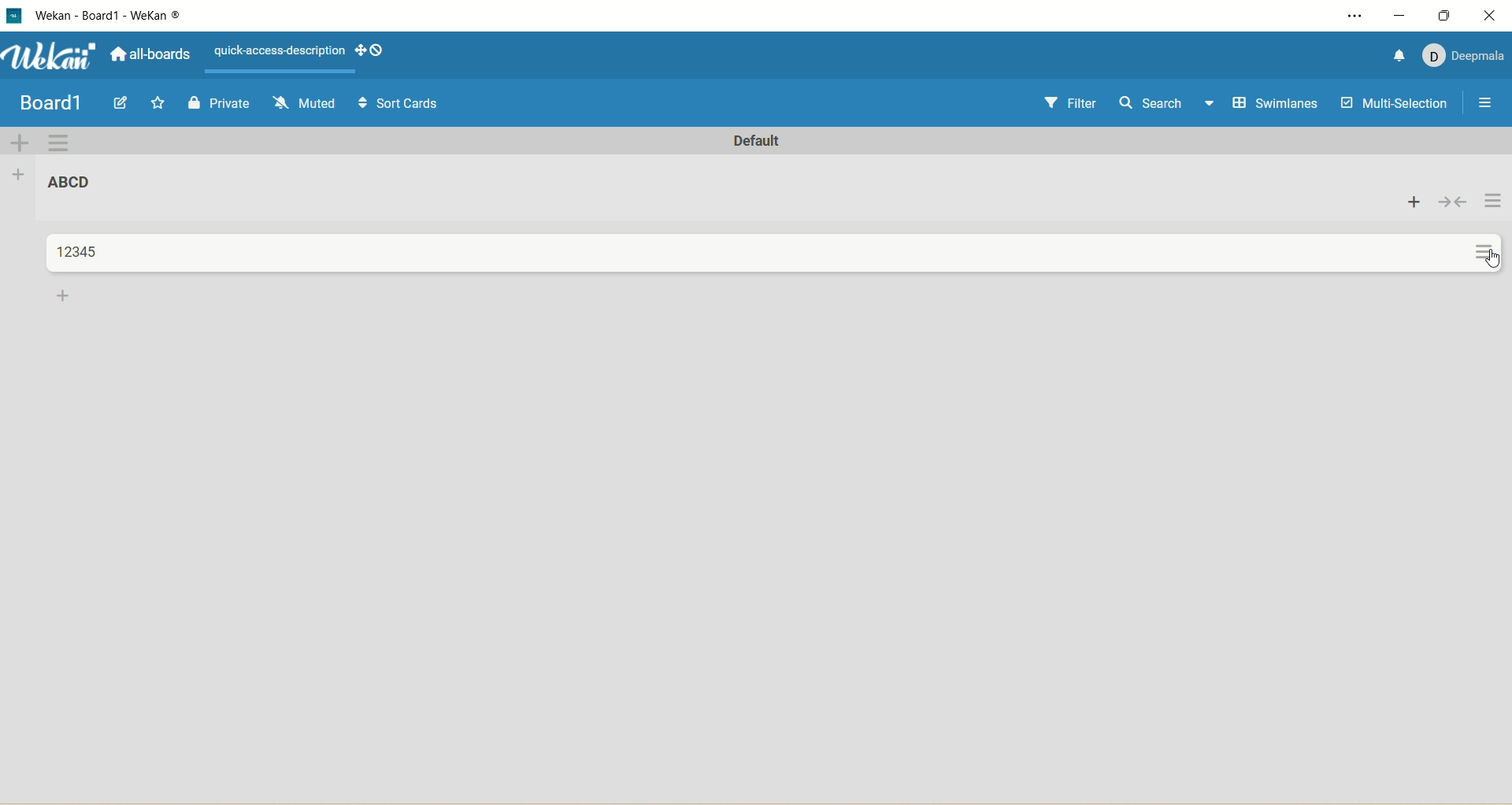  What do you see at coordinates (217, 106) in the screenshot?
I see `private` at bounding box center [217, 106].